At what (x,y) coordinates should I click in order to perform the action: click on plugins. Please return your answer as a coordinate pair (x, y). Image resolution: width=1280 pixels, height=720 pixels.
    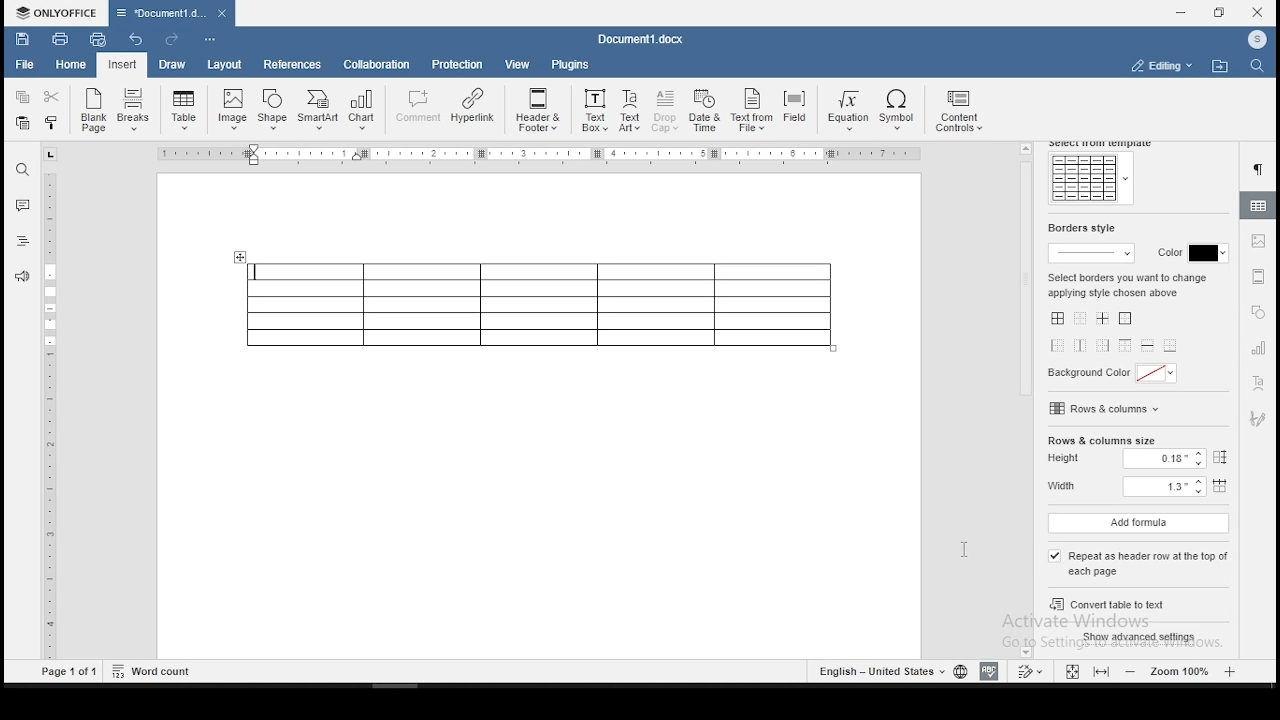
    Looking at the image, I should click on (571, 64).